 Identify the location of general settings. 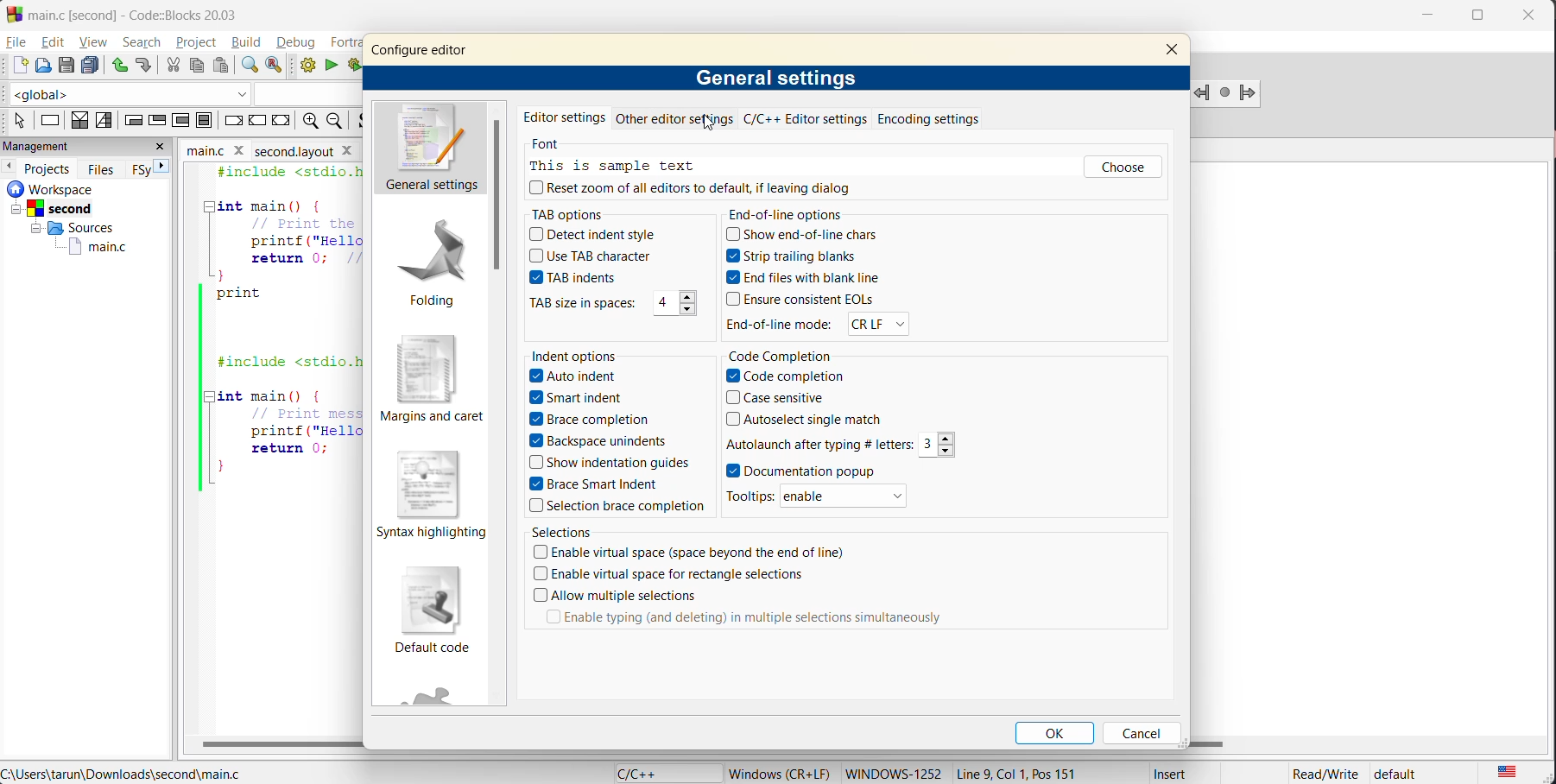
(428, 152).